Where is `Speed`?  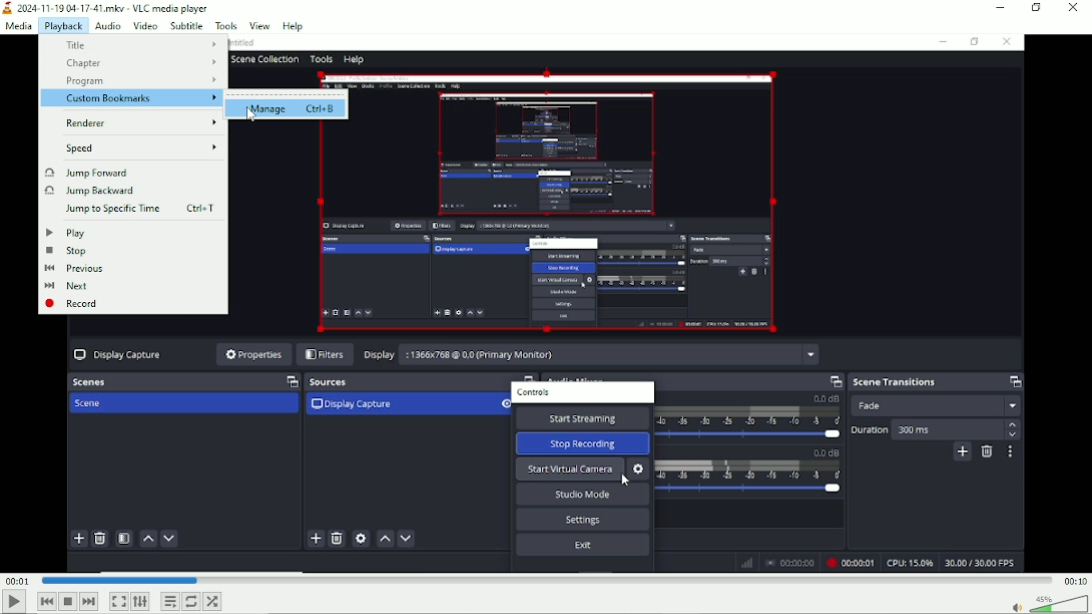
Speed is located at coordinates (141, 149).